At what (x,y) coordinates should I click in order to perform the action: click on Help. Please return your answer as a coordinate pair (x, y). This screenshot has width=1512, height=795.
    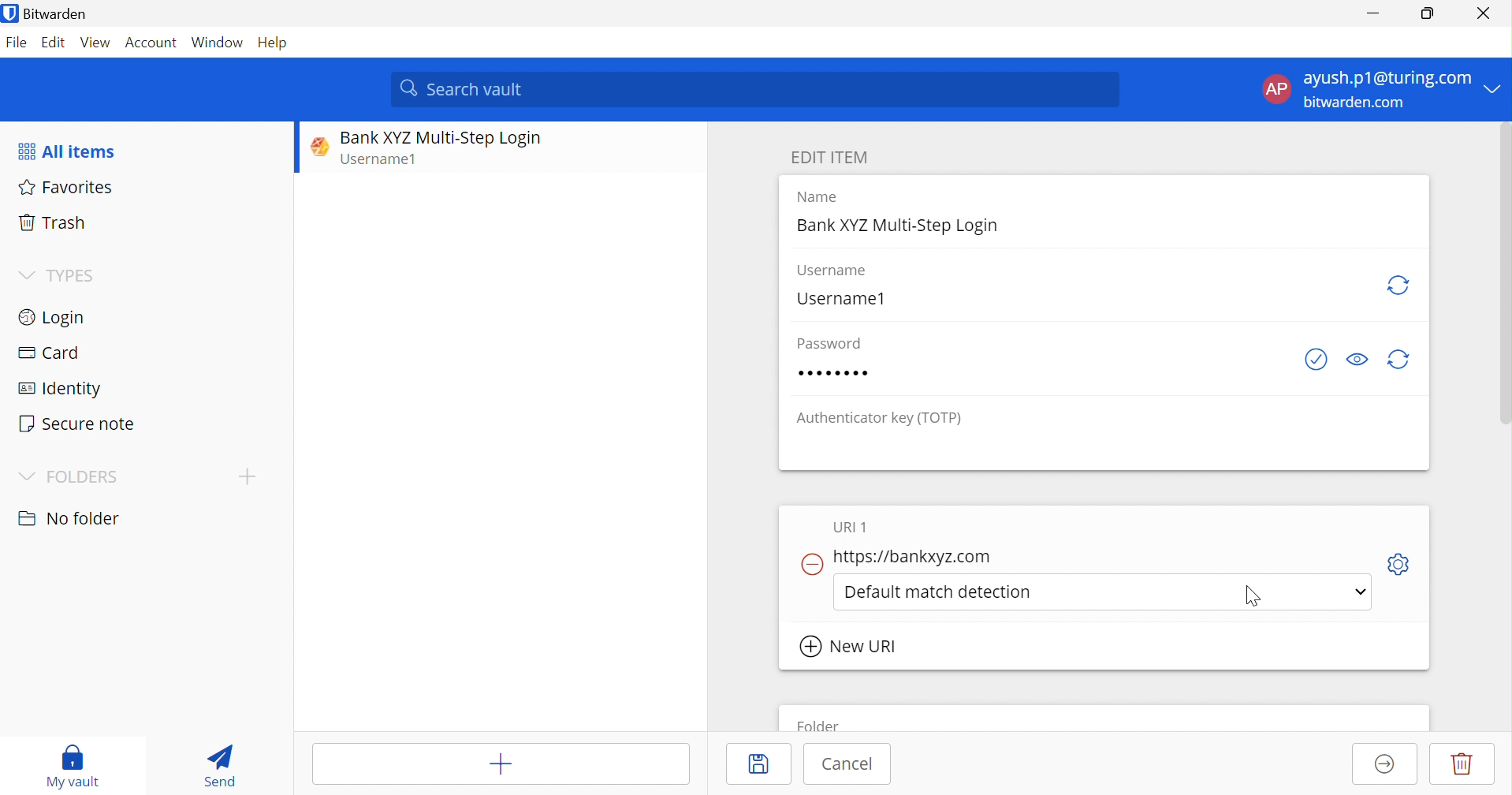
    Looking at the image, I should click on (275, 44).